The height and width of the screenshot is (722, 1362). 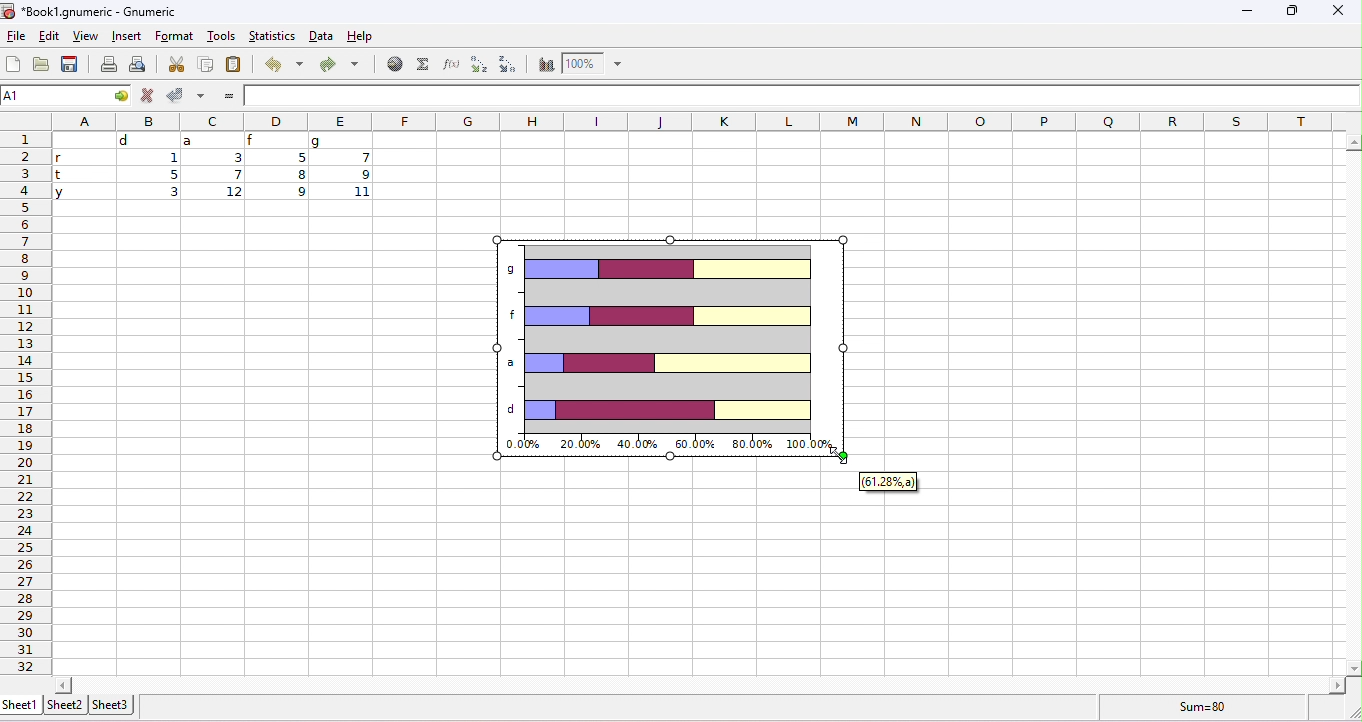 What do you see at coordinates (65, 705) in the screenshot?
I see `sheet2` at bounding box center [65, 705].